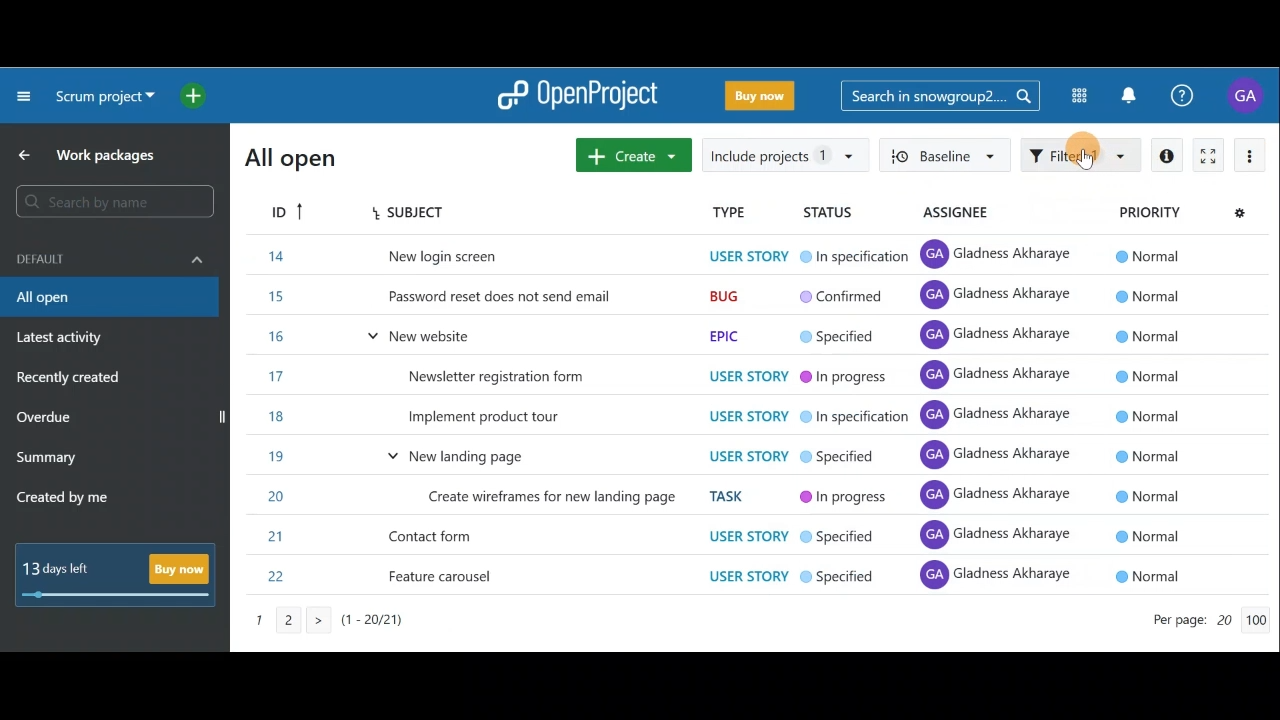 The image size is (1280, 720). I want to click on Search bar, so click(940, 94).